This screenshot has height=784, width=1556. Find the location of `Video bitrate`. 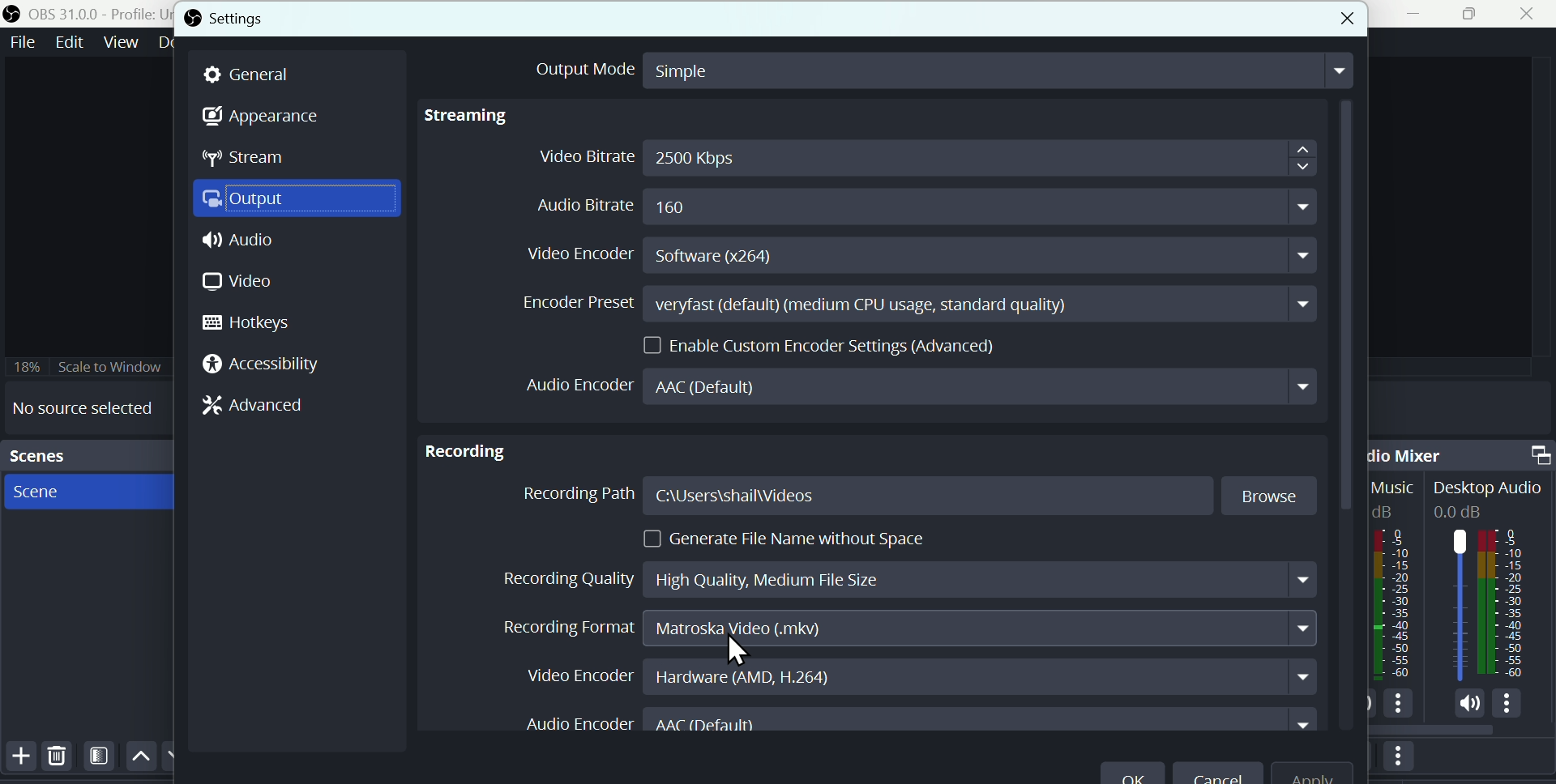

Video bitrate is located at coordinates (920, 156).